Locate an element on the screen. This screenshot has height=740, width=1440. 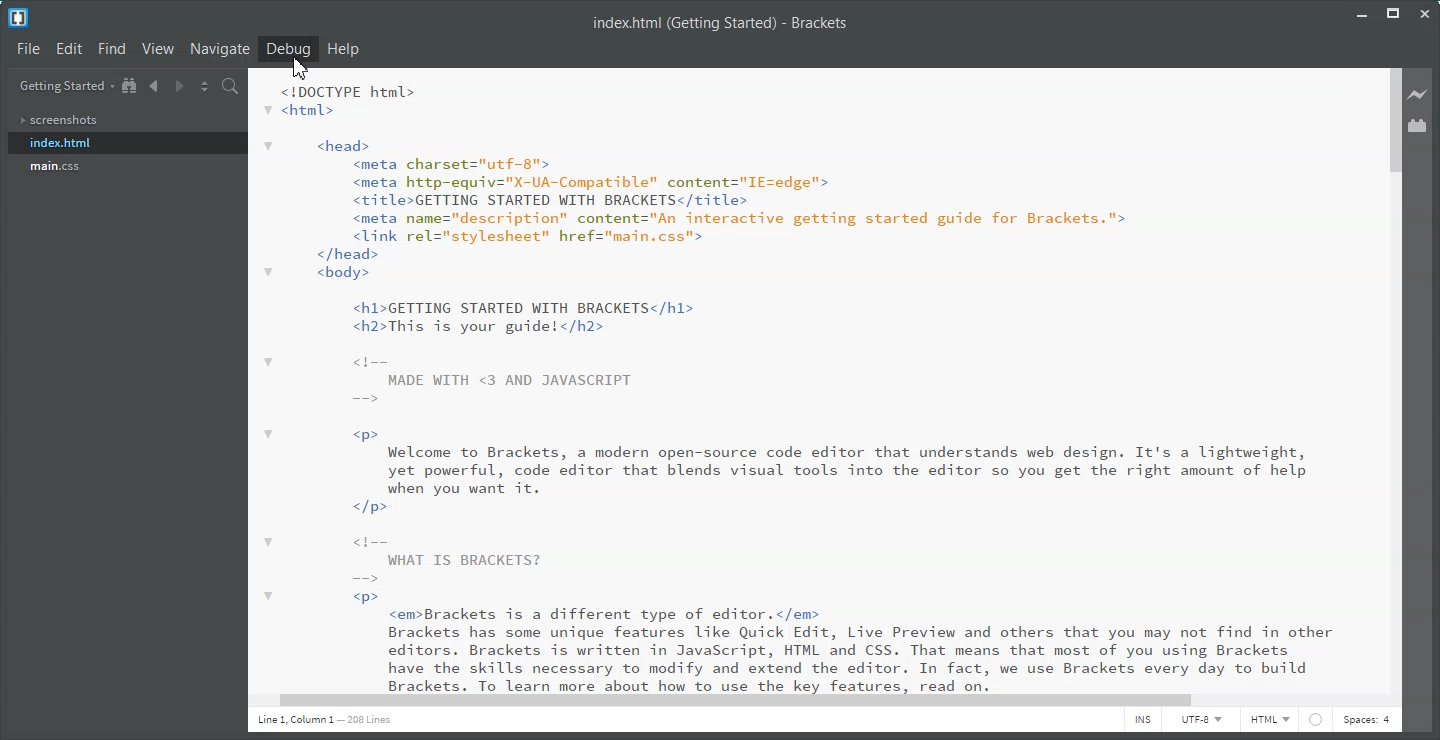
Split the editor vertically or Horizontally is located at coordinates (204, 86).